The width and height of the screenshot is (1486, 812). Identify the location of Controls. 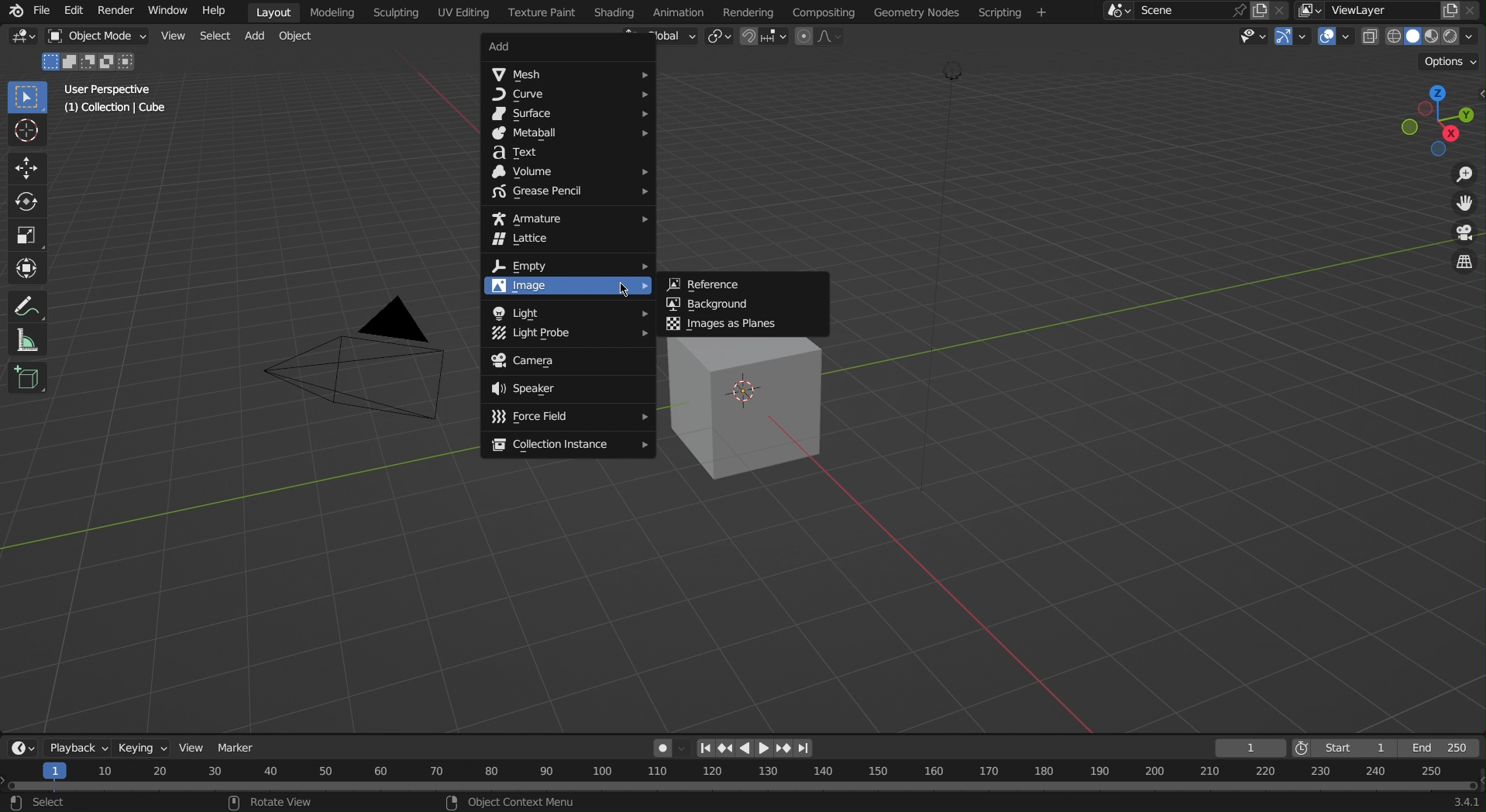
(758, 746).